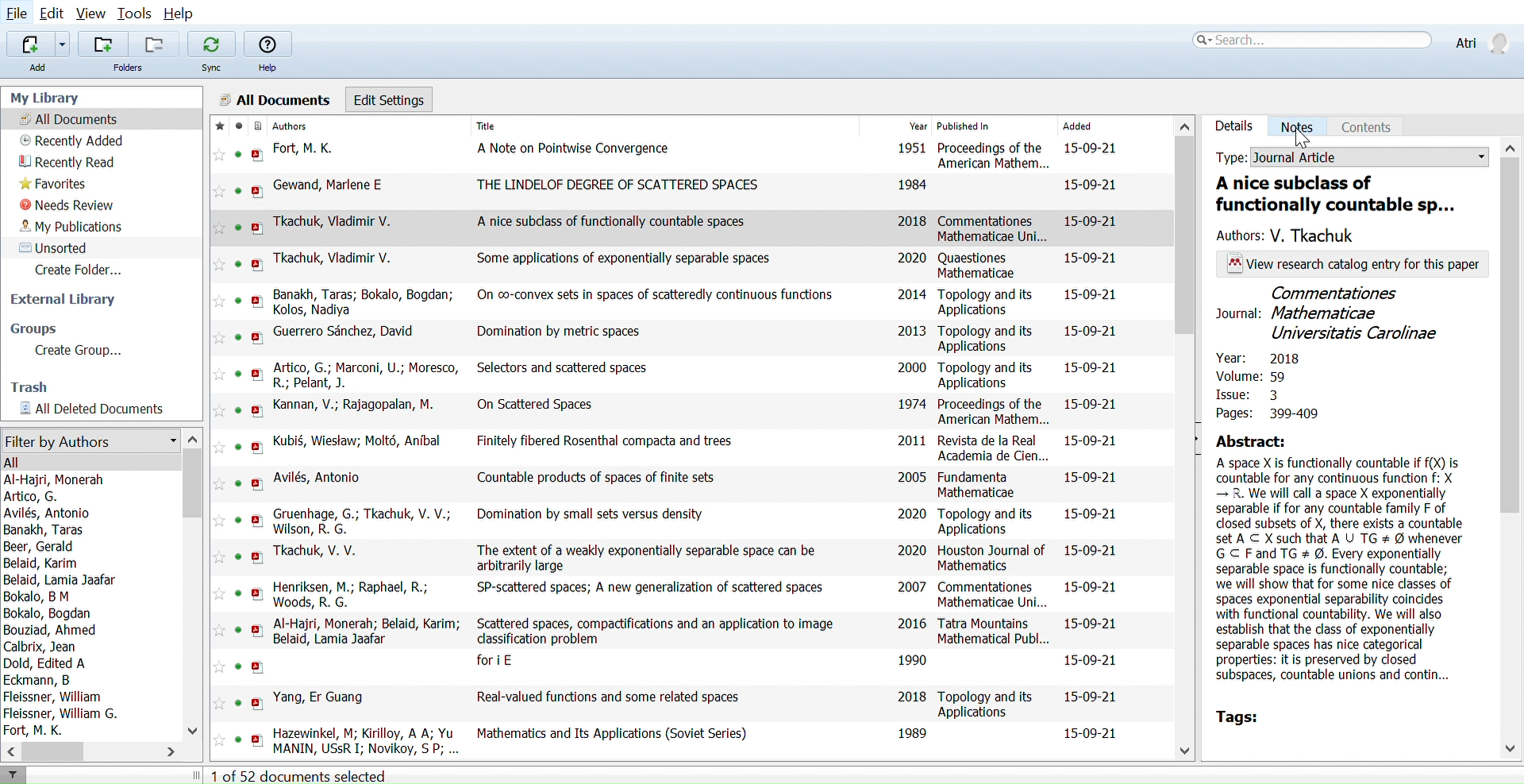 Image resolution: width=1524 pixels, height=784 pixels. I want to click on External library, so click(63, 300).